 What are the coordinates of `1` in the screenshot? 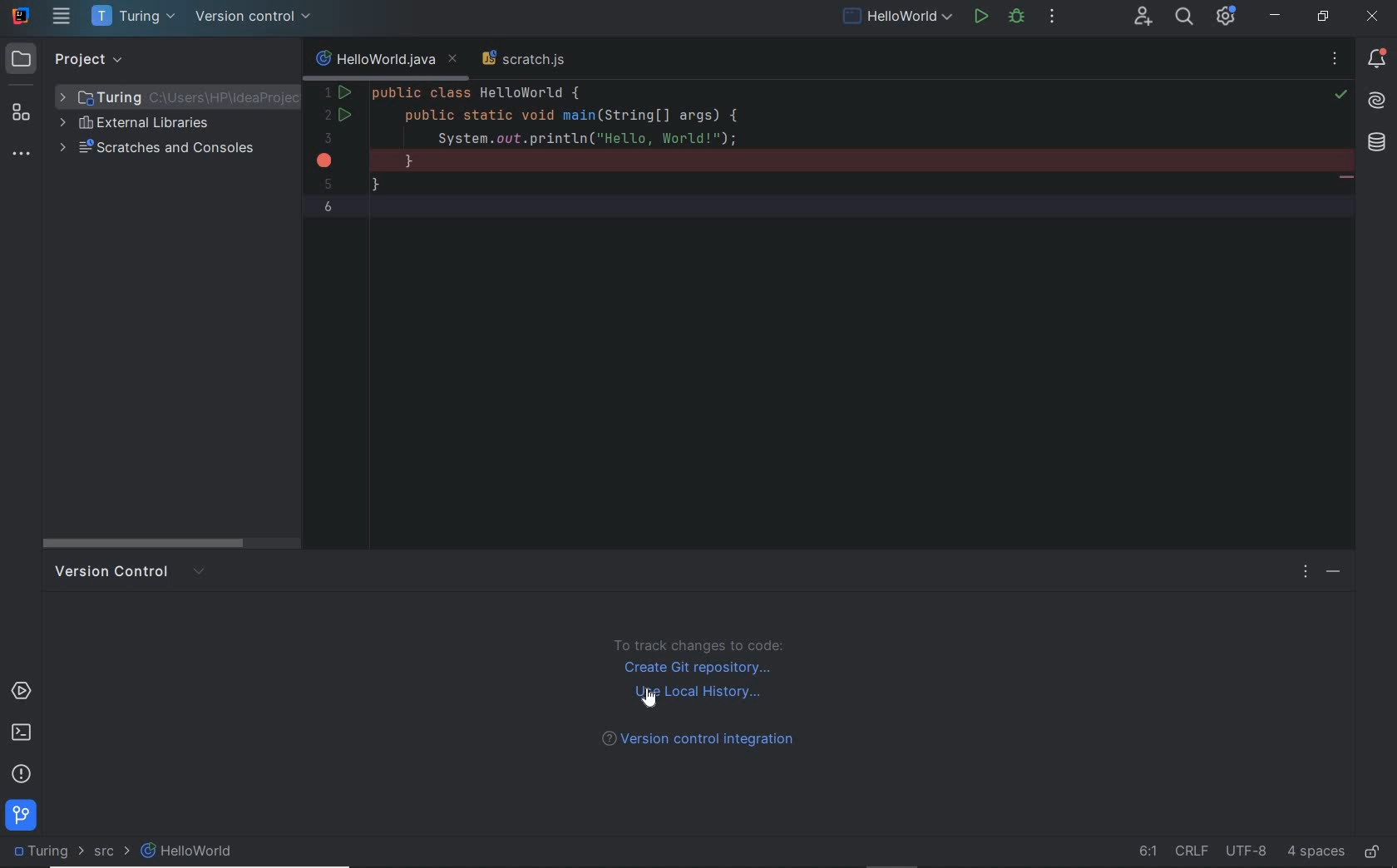 It's located at (328, 93).